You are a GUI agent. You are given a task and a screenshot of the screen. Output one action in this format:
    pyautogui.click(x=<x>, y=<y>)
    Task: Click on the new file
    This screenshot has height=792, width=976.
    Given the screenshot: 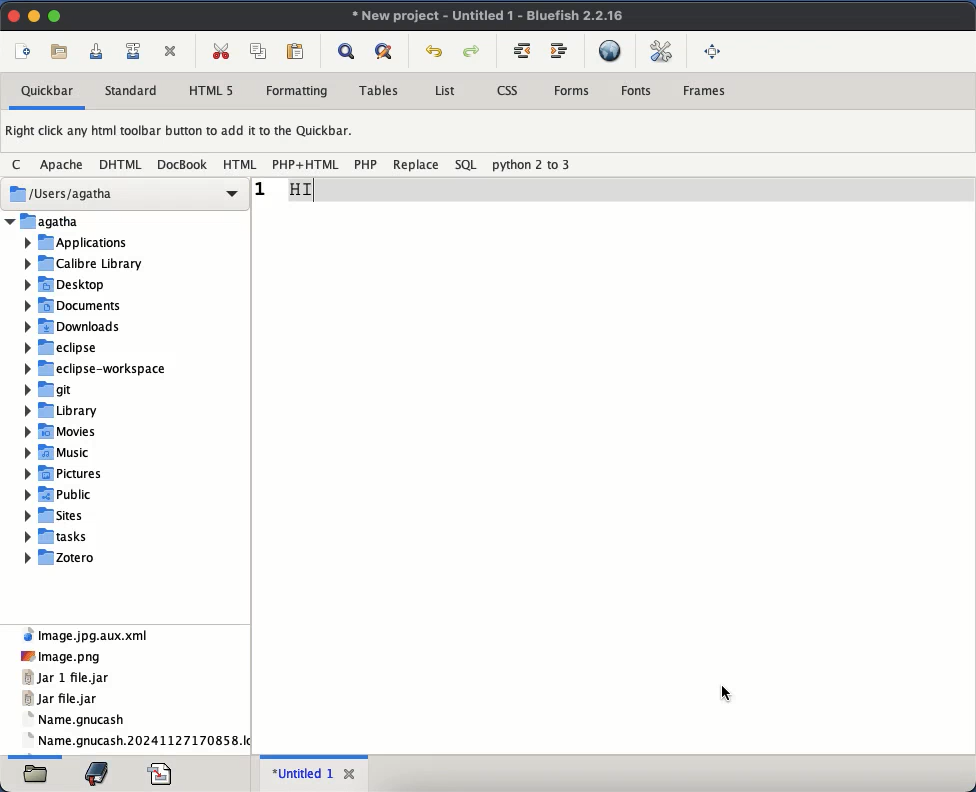 What is the action you would take?
    pyautogui.click(x=26, y=50)
    